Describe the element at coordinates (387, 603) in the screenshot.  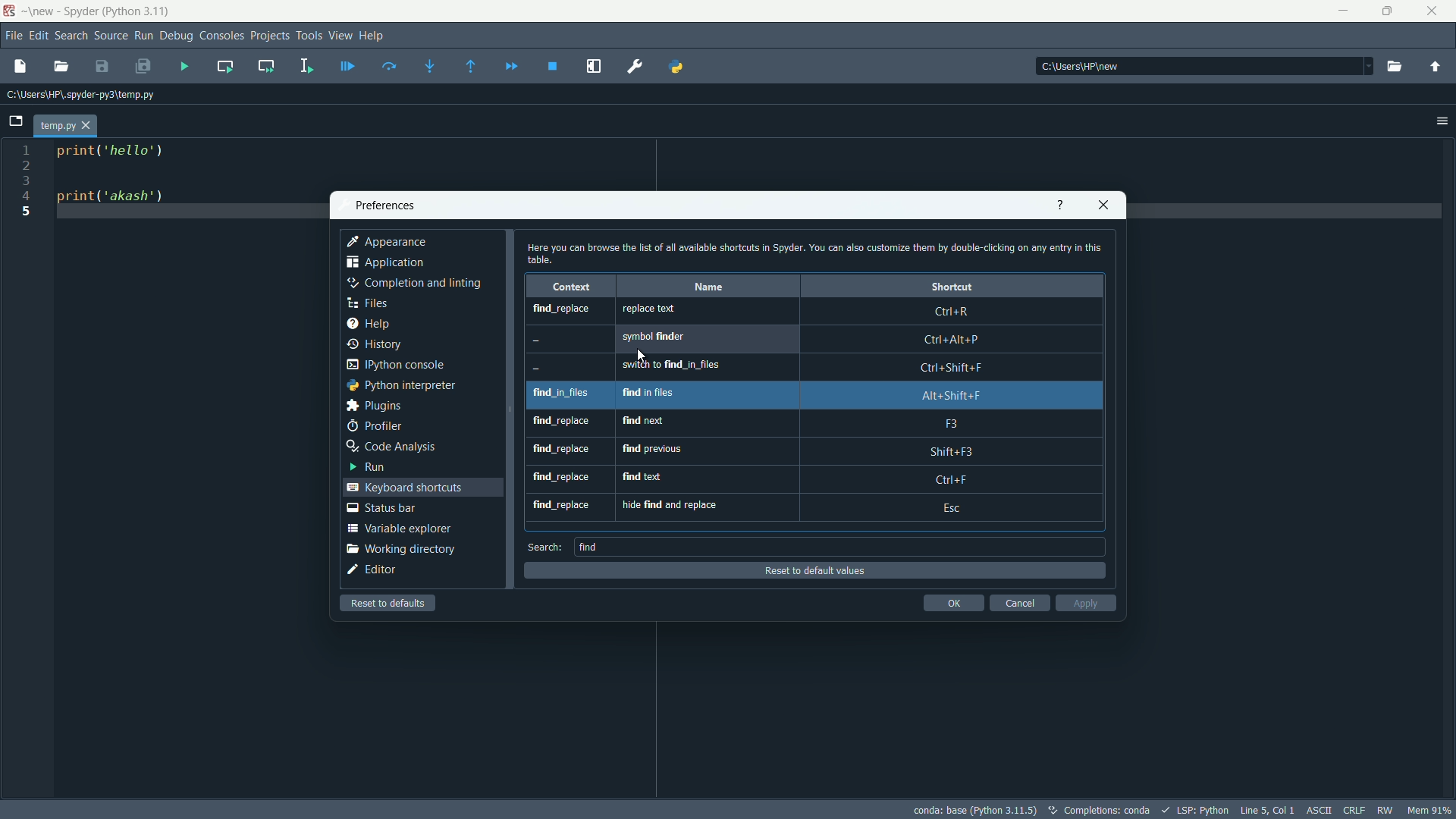
I see `reset to defaults` at that location.